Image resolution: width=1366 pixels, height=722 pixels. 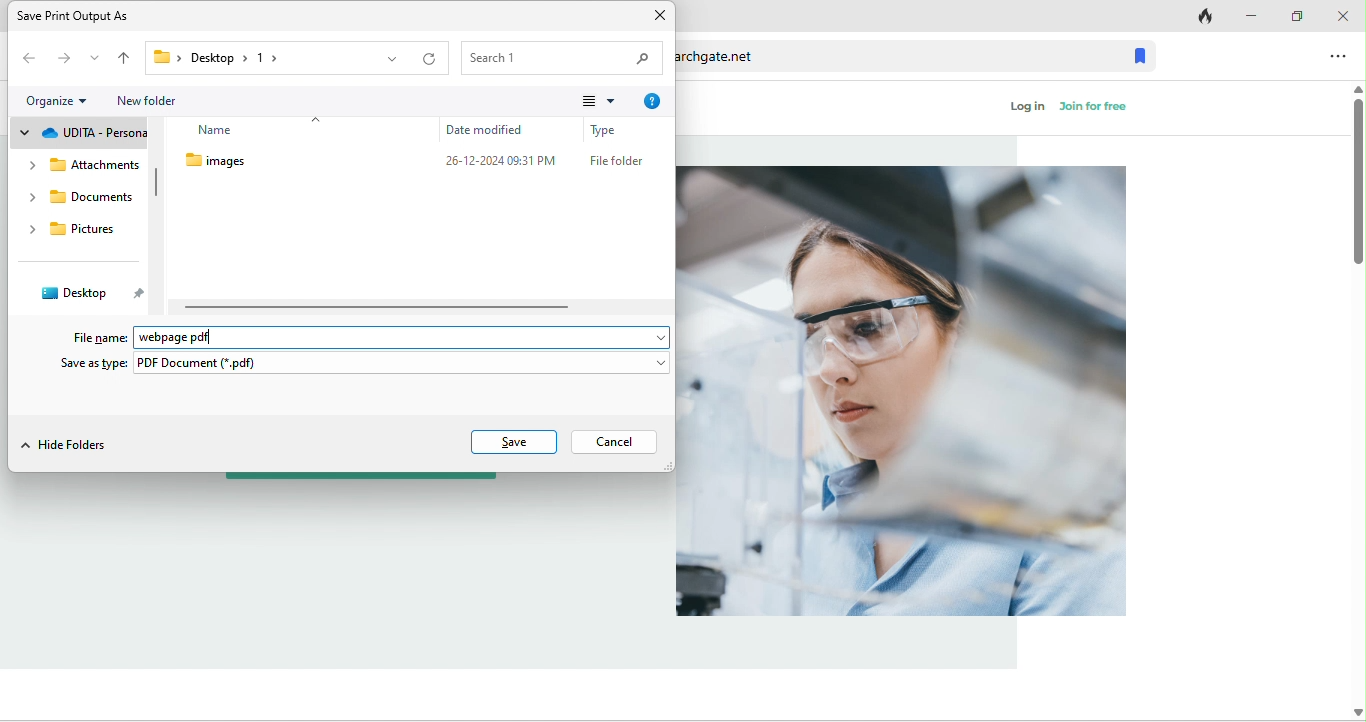 I want to click on more option, so click(x=598, y=101).